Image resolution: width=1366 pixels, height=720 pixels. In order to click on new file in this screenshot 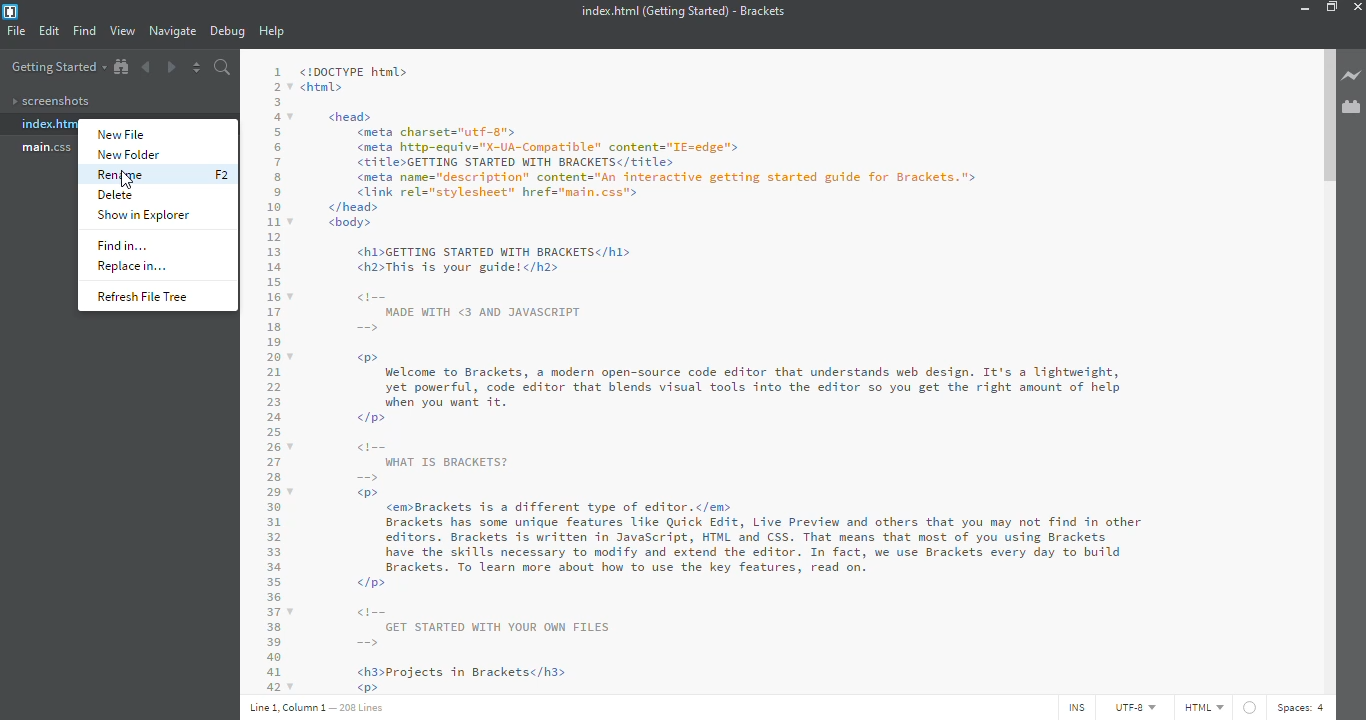, I will do `click(128, 135)`.